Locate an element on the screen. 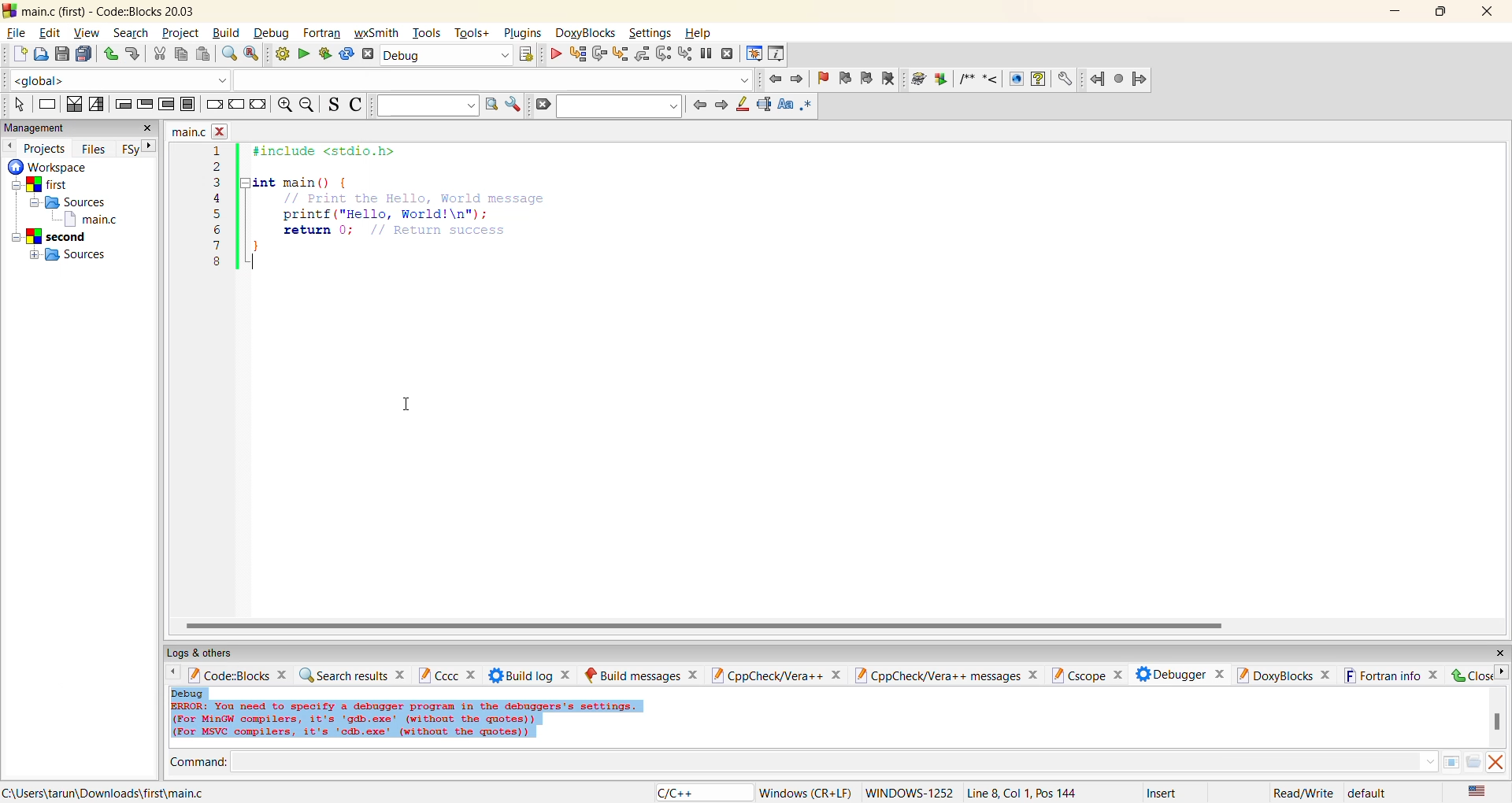  Debug is located at coordinates (190, 693).